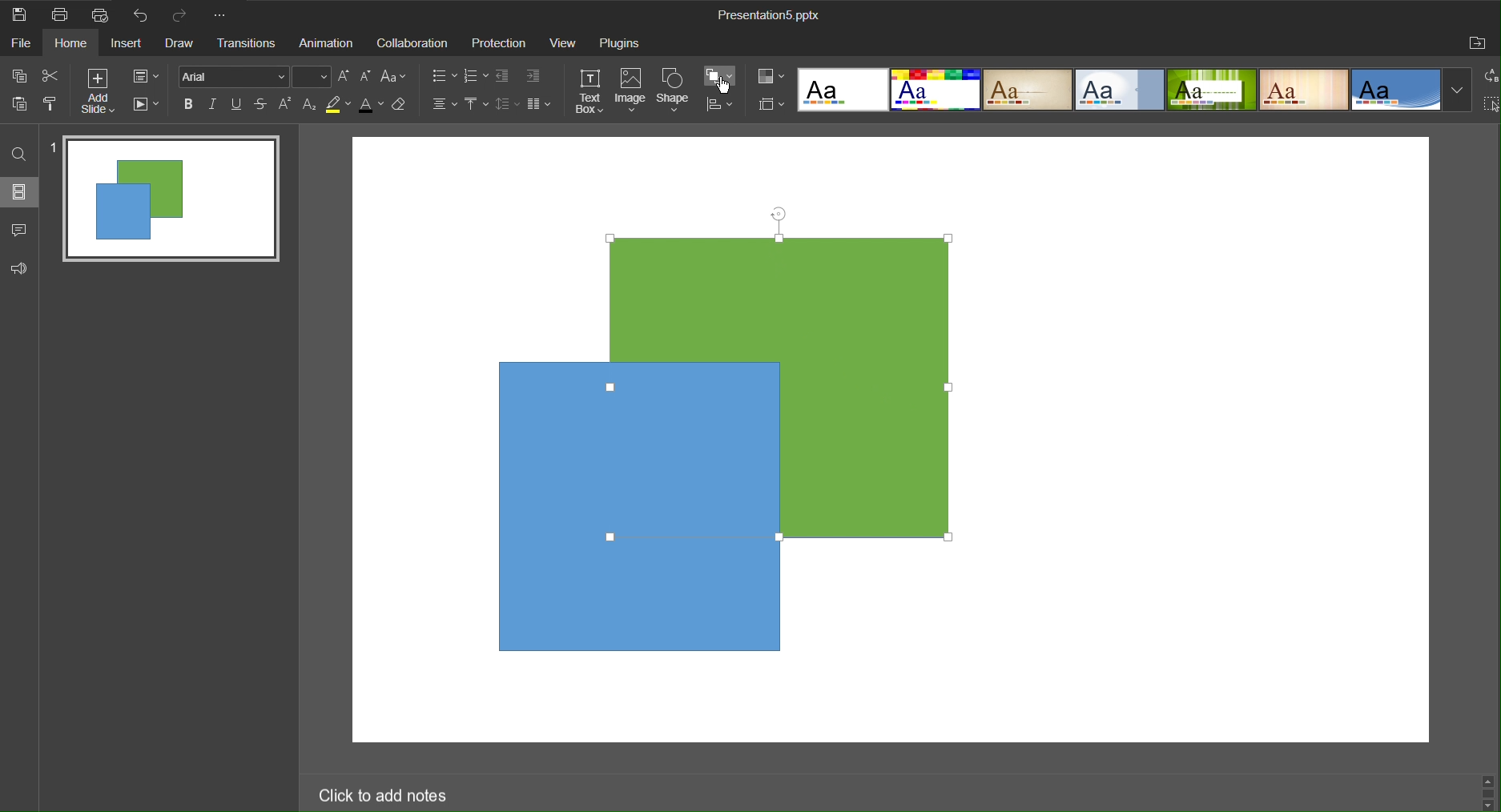 This screenshot has height=812, width=1501. Describe the element at coordinates (413, 43) in the screenshot. I see `Collaboration` at that location.